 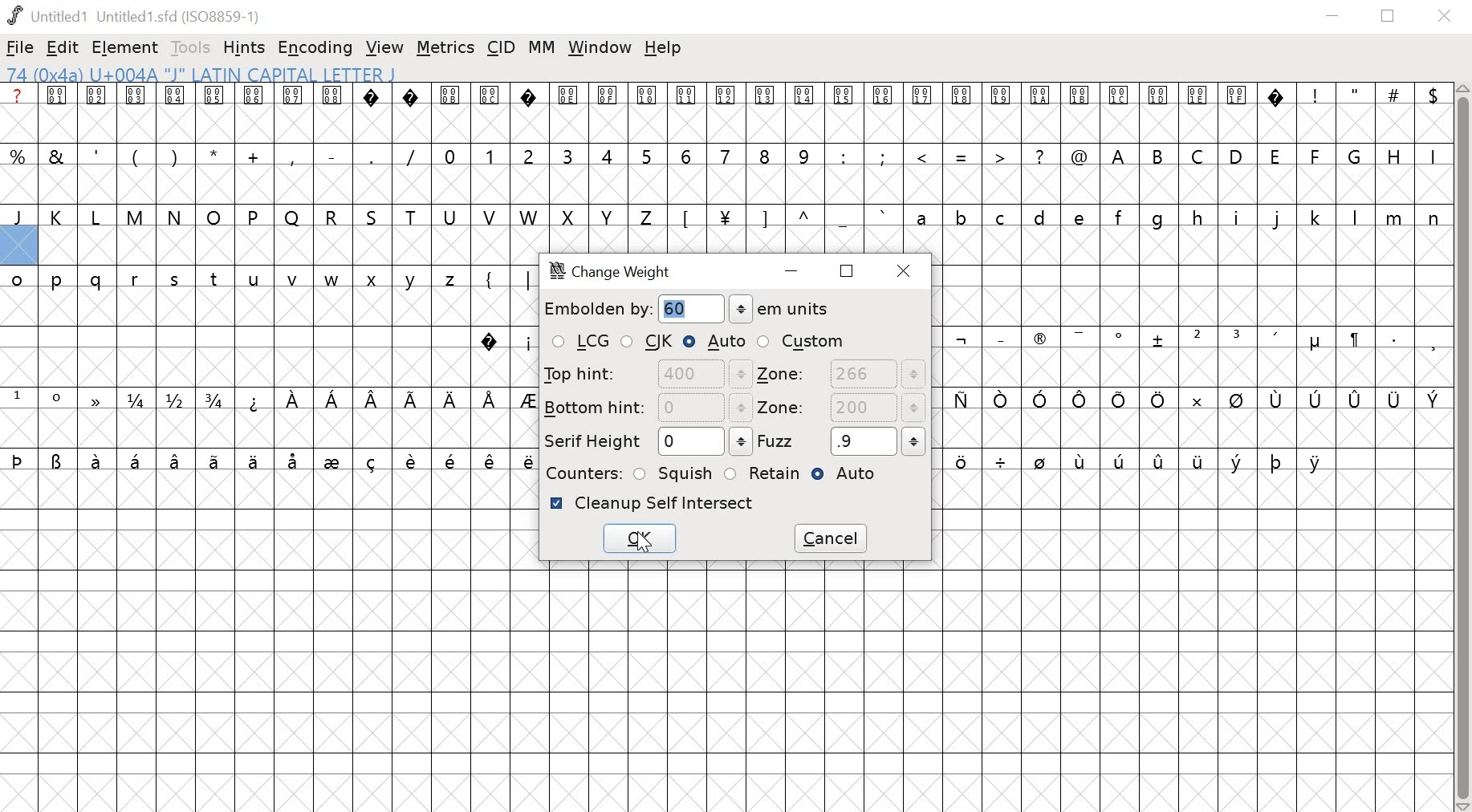 I want to click on restore down, so click(x=848, y=270).